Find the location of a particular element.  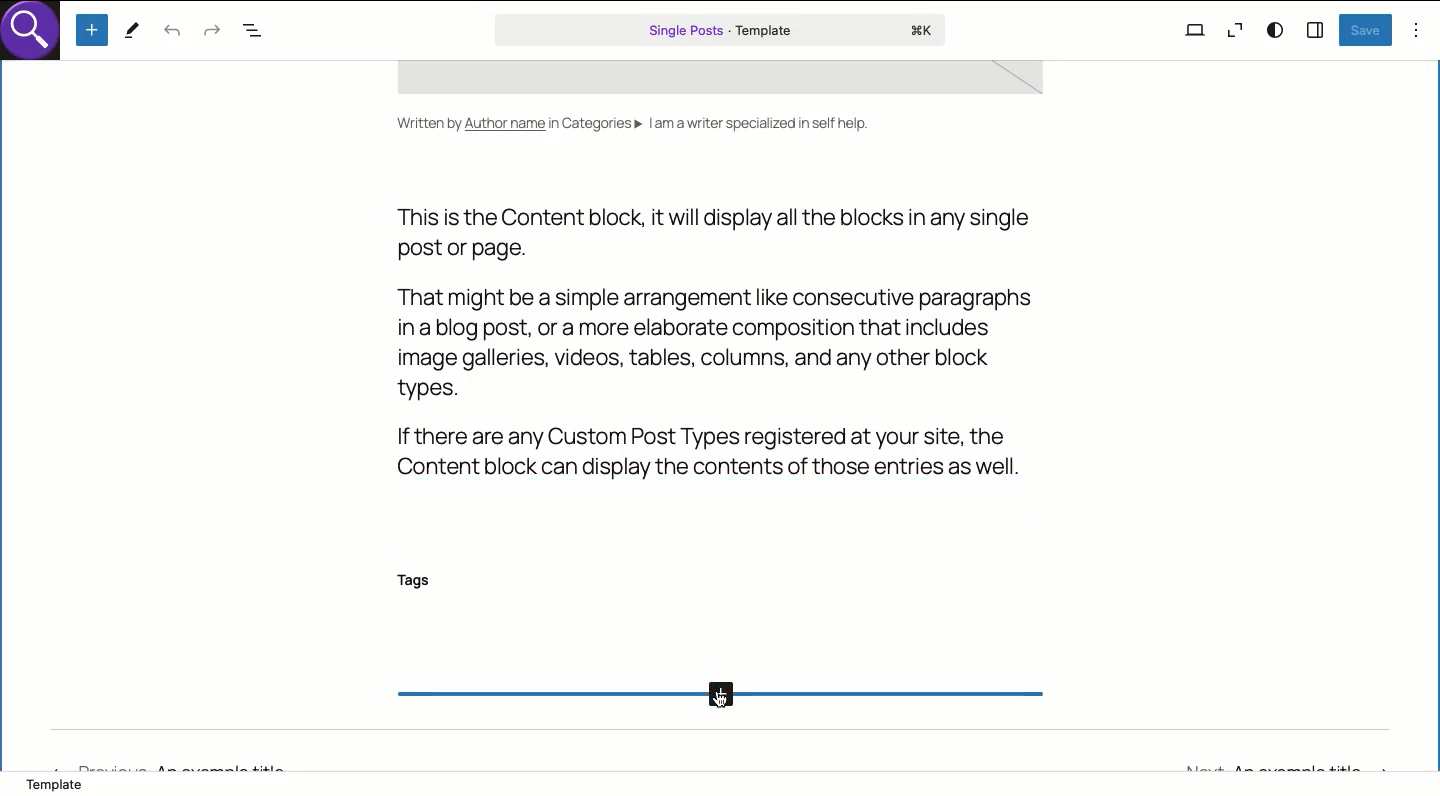

Redo is located at coordinates (213, 33).